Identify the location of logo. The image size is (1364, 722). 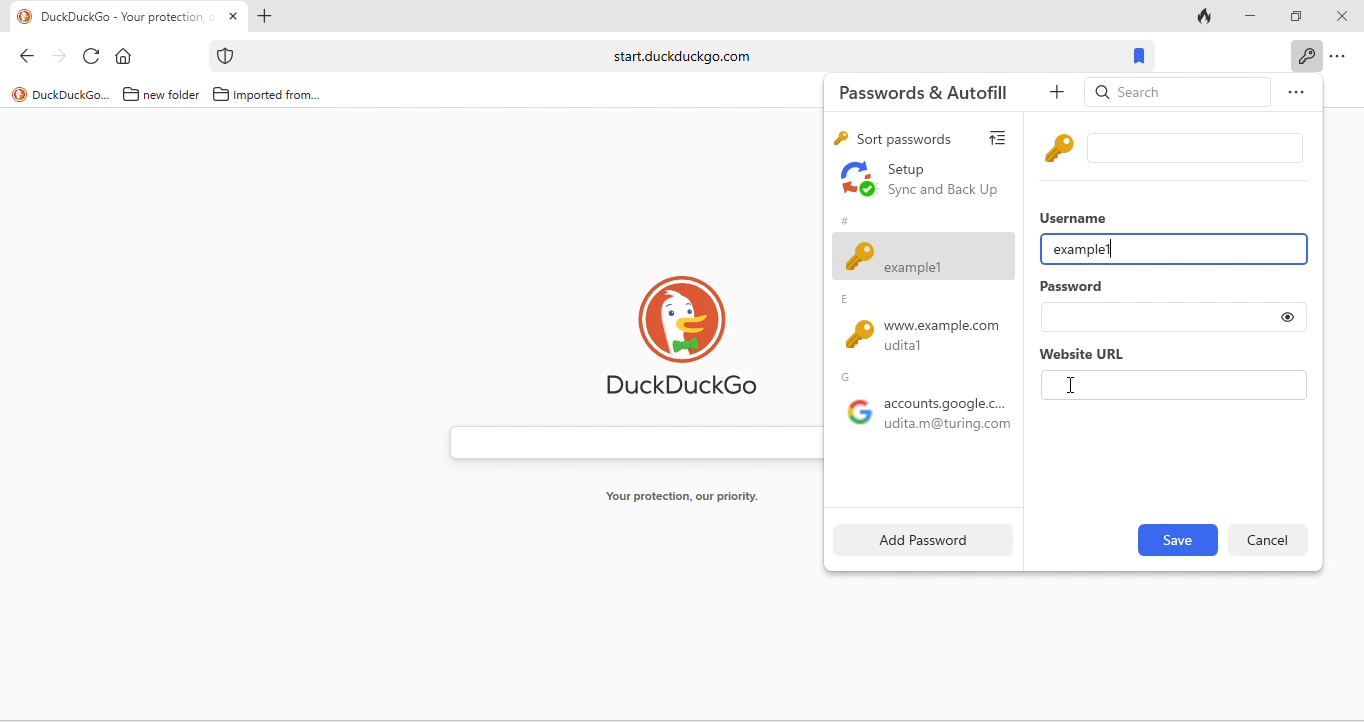
(25, 17).